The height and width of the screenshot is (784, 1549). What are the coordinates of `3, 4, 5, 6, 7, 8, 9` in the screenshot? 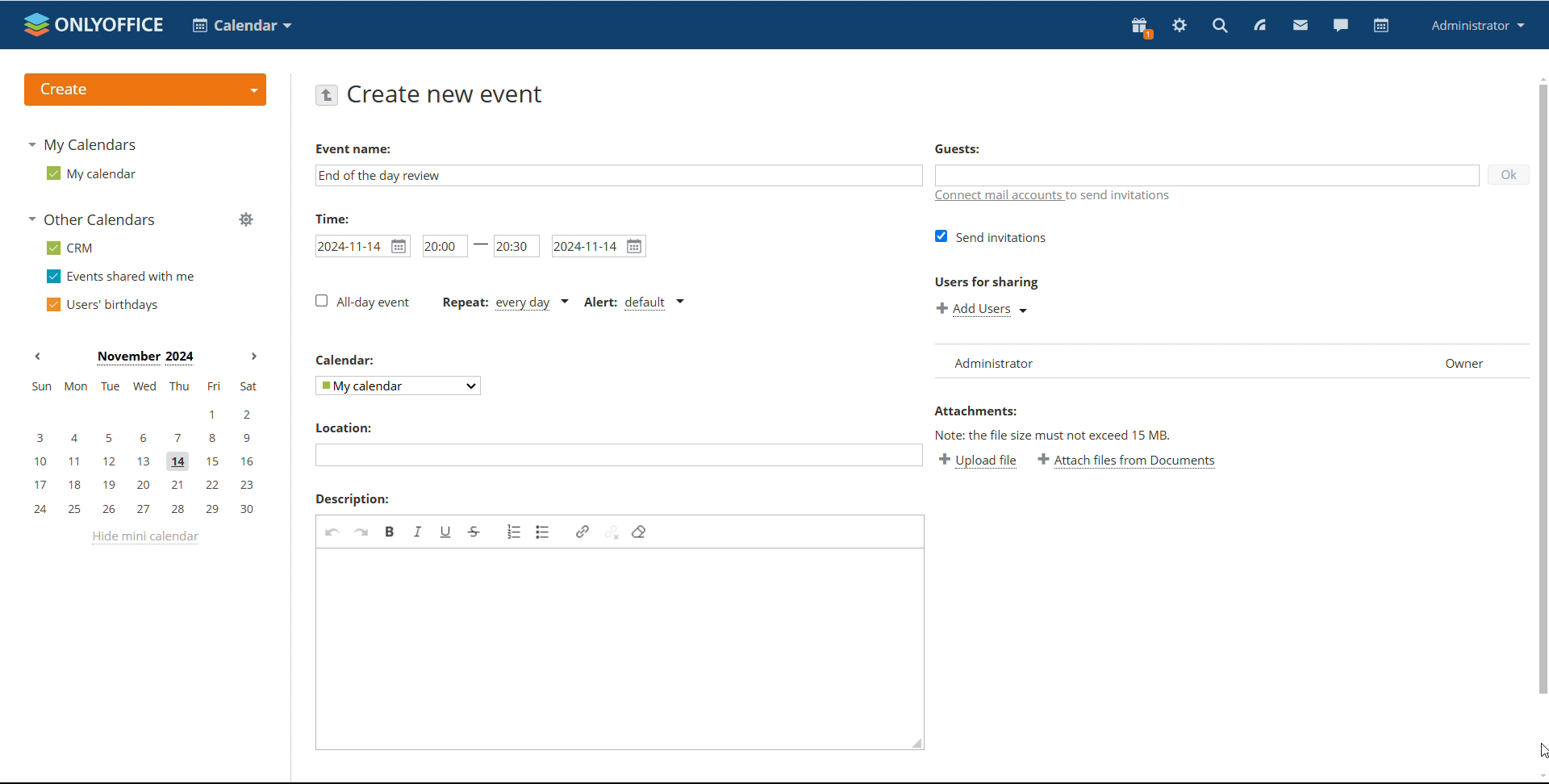 It's located at (144, 436).